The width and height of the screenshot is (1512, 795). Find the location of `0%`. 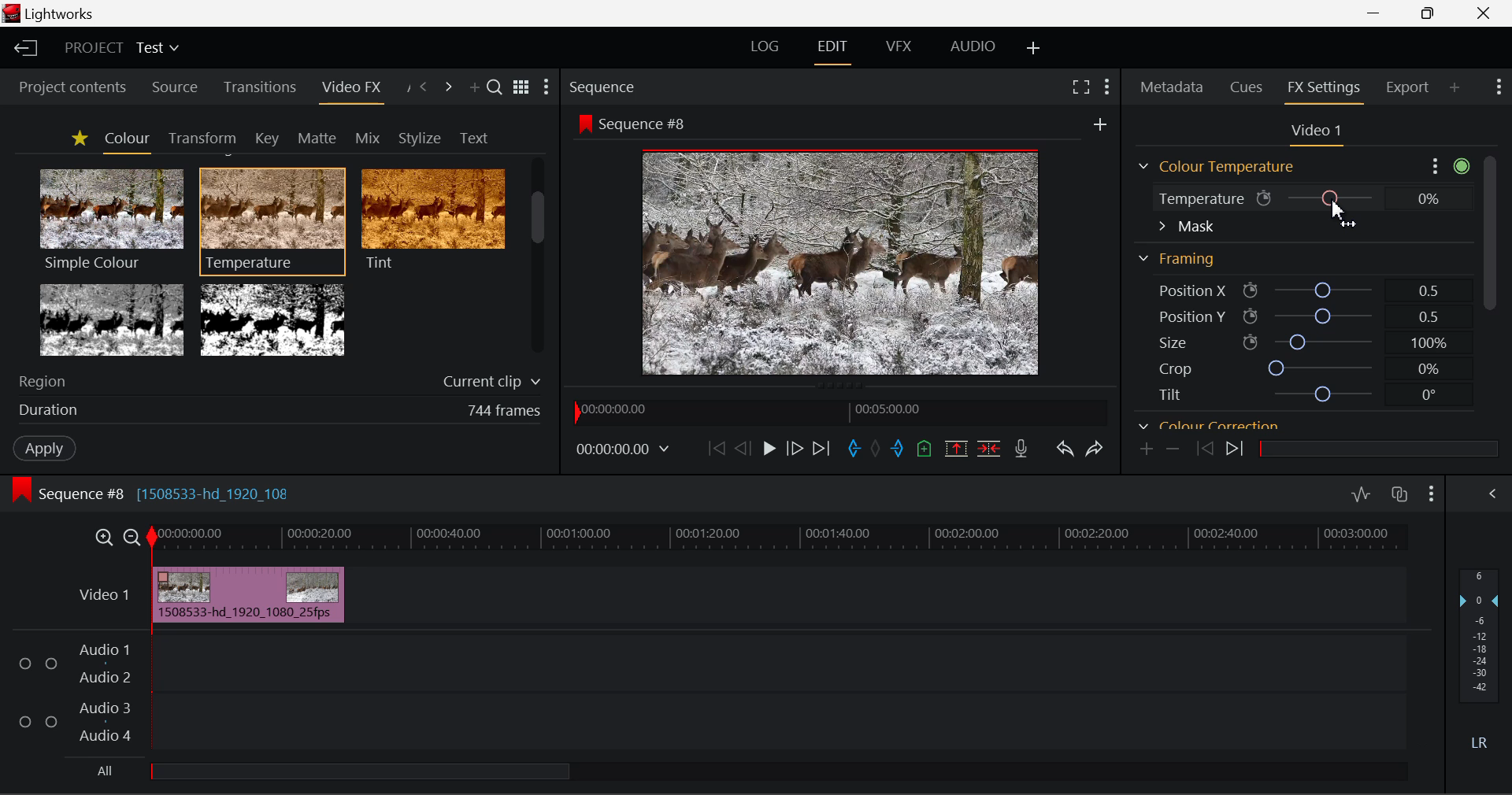

0% is located at coordinates (1427, 369).